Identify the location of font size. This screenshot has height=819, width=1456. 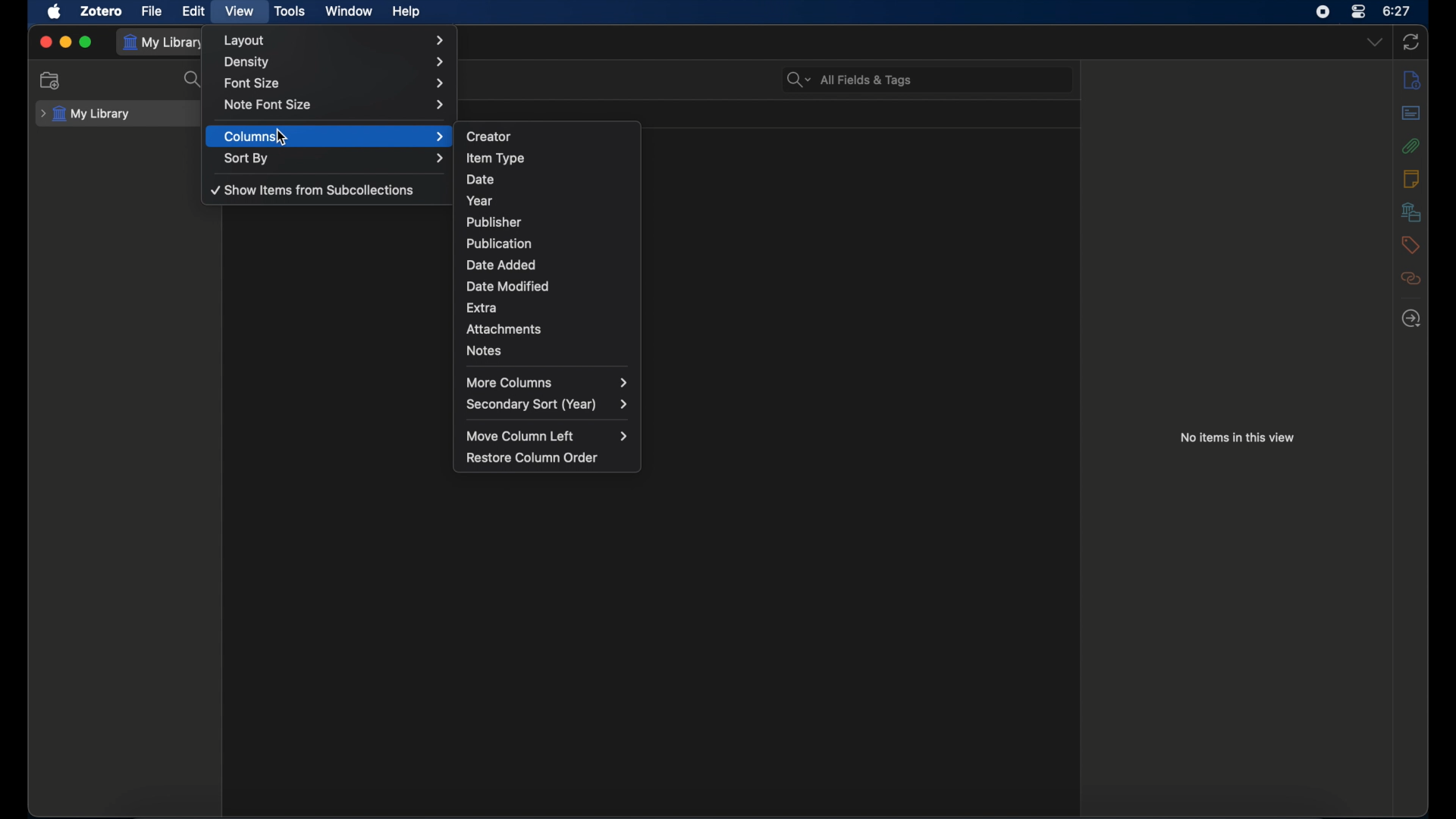
(336, 82).